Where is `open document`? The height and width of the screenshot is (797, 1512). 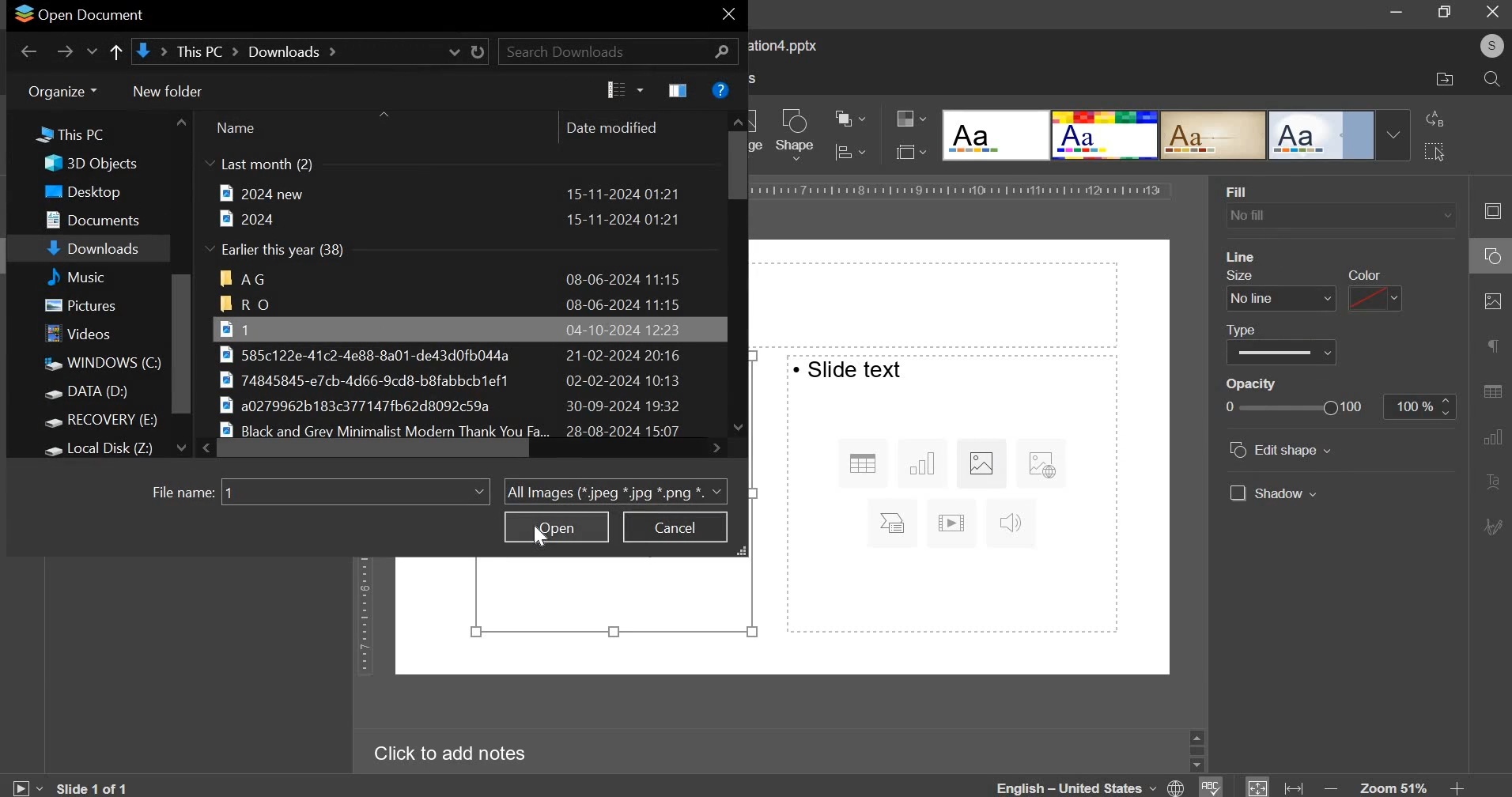 open document is located at coordinates (81, 14).